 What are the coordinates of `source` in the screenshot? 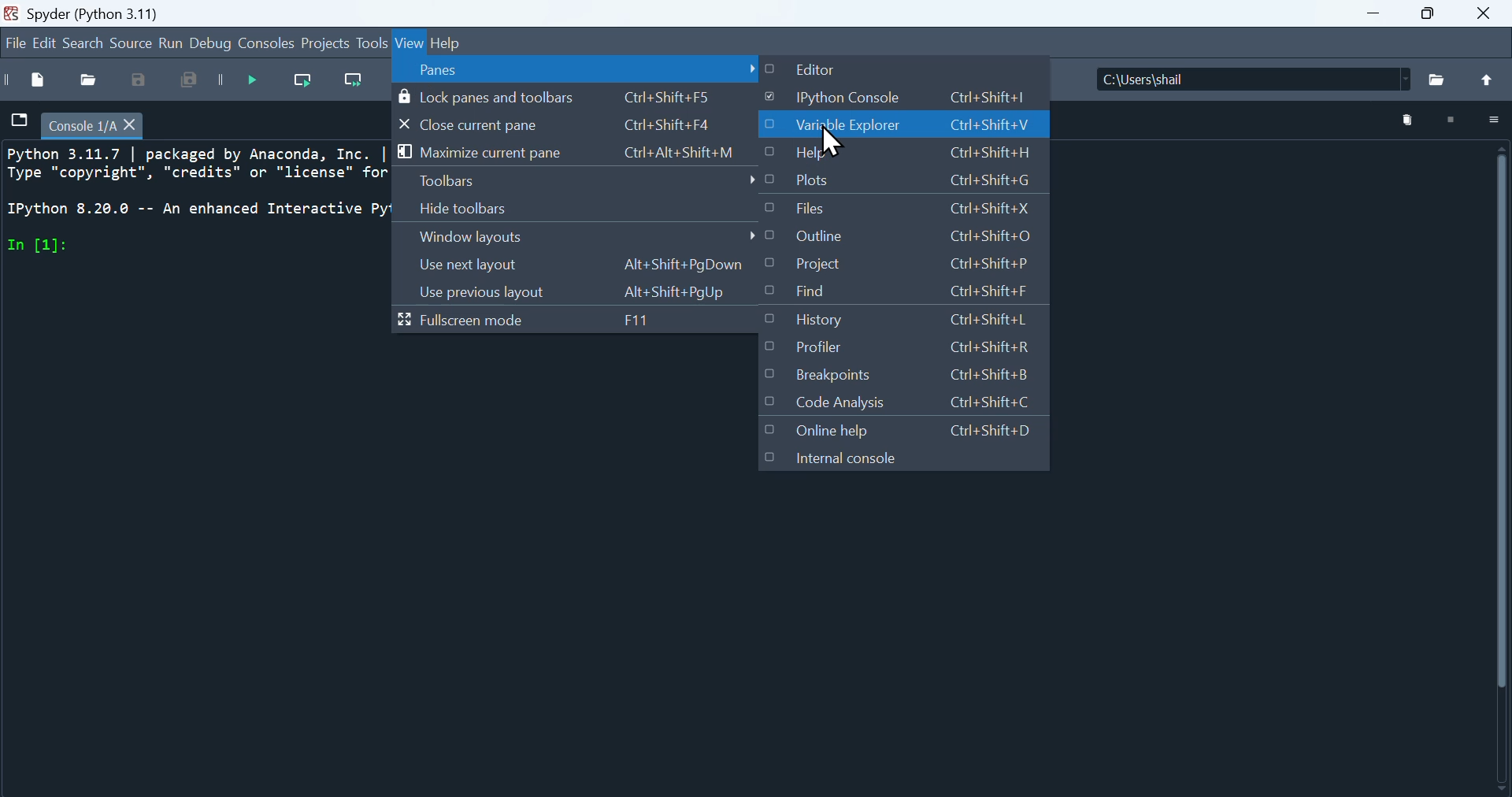 It's located at (128, 45).